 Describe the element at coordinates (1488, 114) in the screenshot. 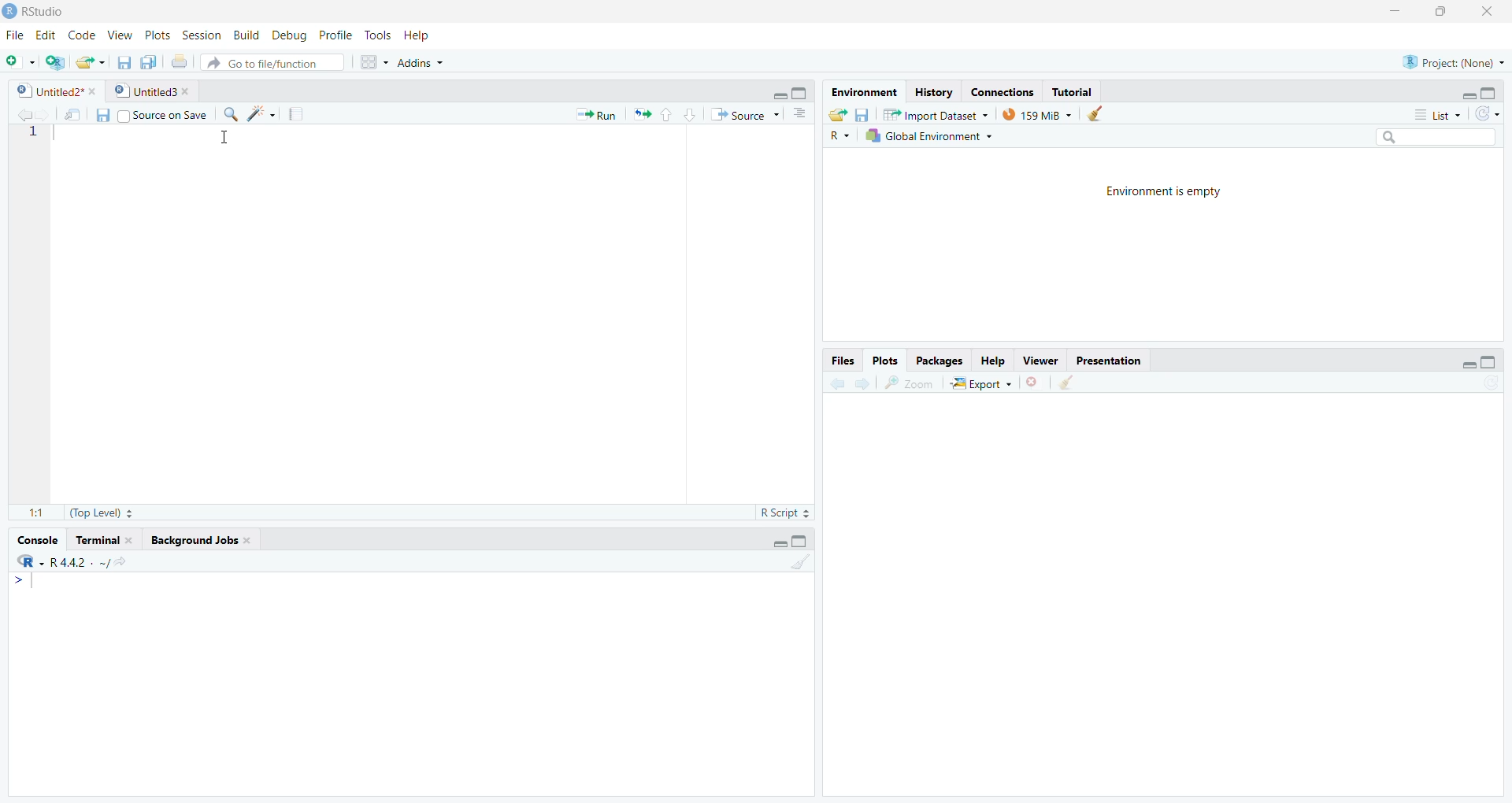

I see `Refresh` at that location.